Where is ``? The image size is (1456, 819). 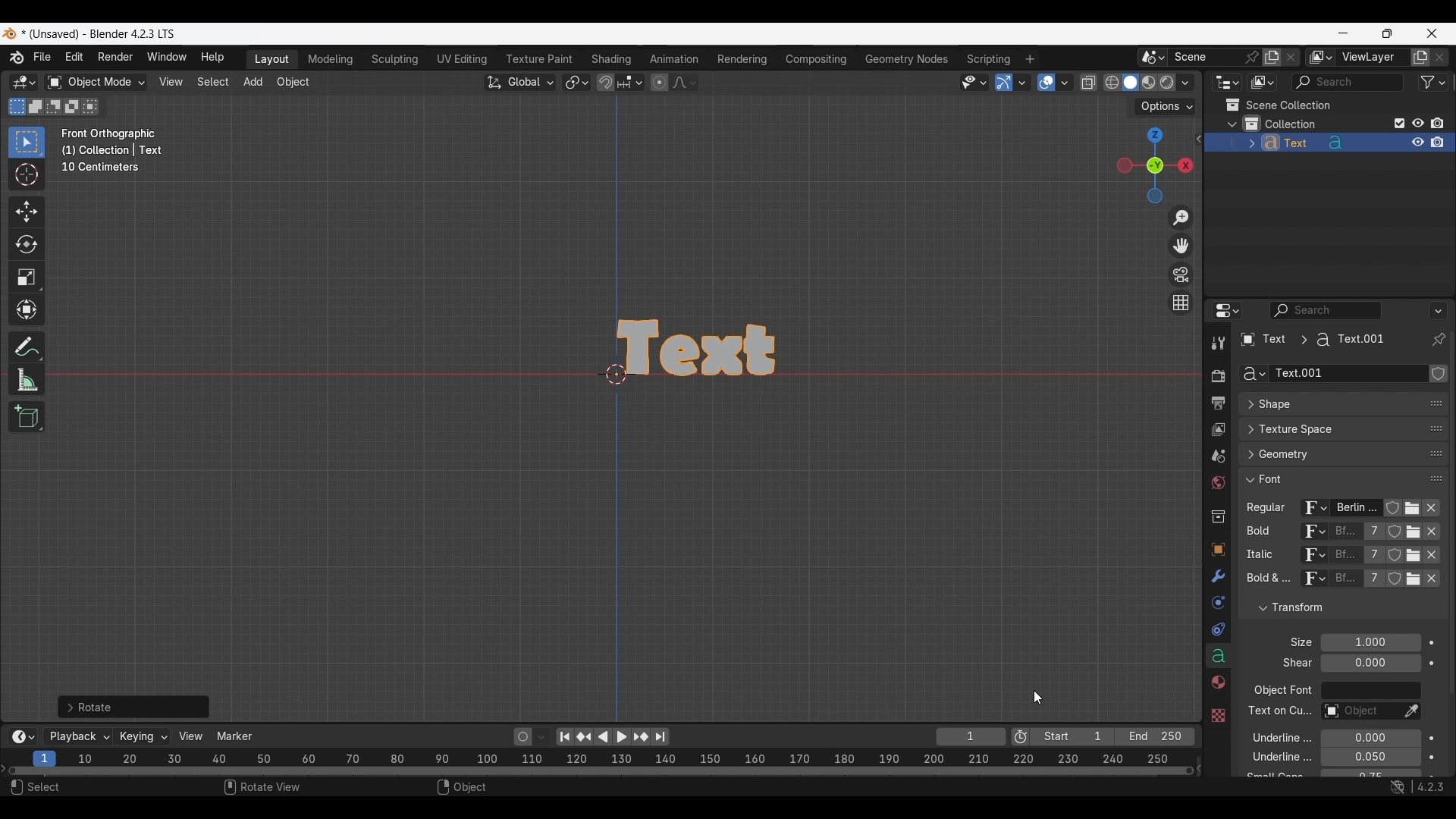  is located at coordinates (1217, 714).